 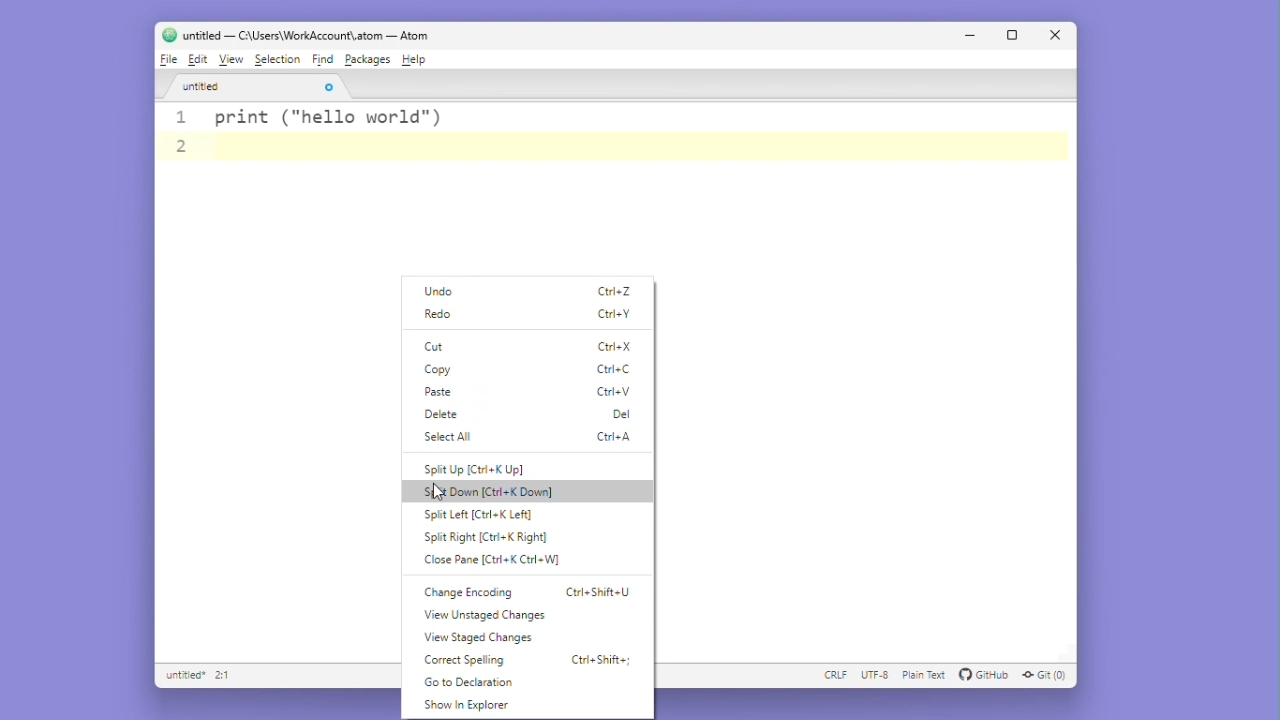 What do you see at coordinates (233, 60) in the screenshot?
I see `View` at bounding box center [233, 60].